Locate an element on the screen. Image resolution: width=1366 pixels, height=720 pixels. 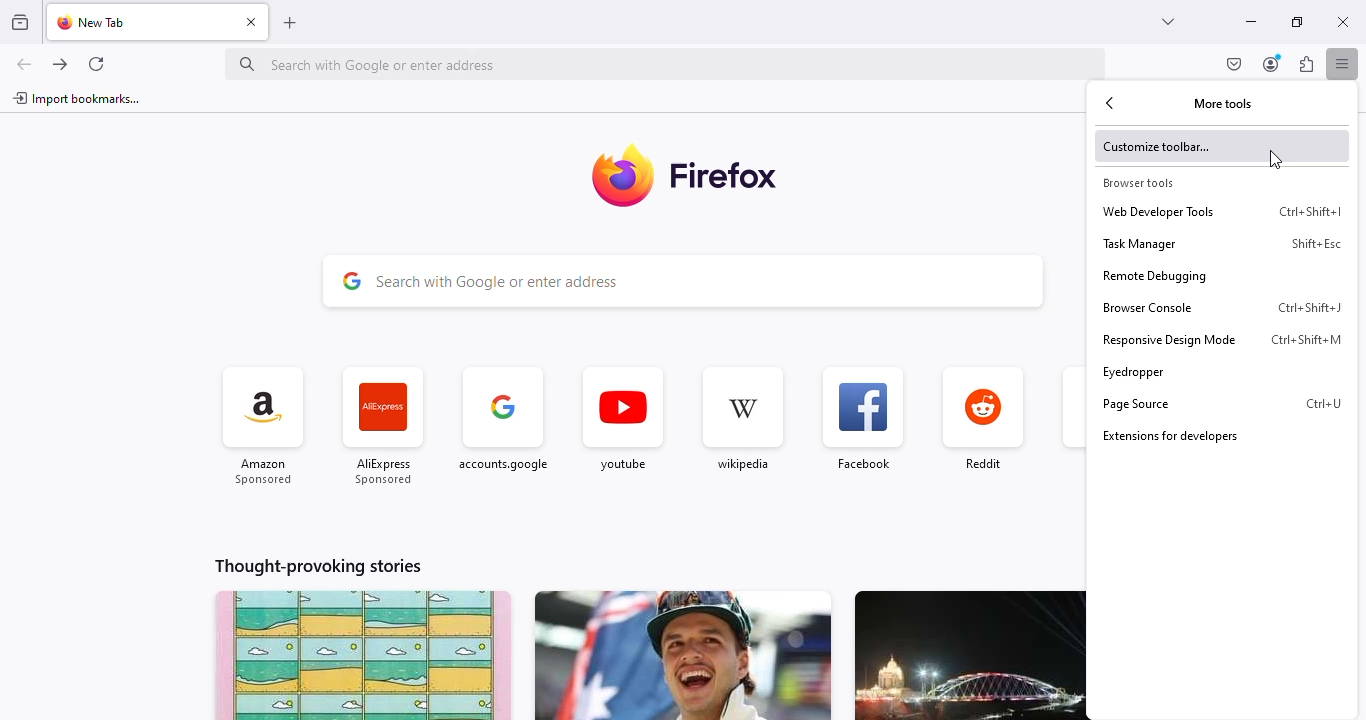
story is located at coordinates (969, 655).